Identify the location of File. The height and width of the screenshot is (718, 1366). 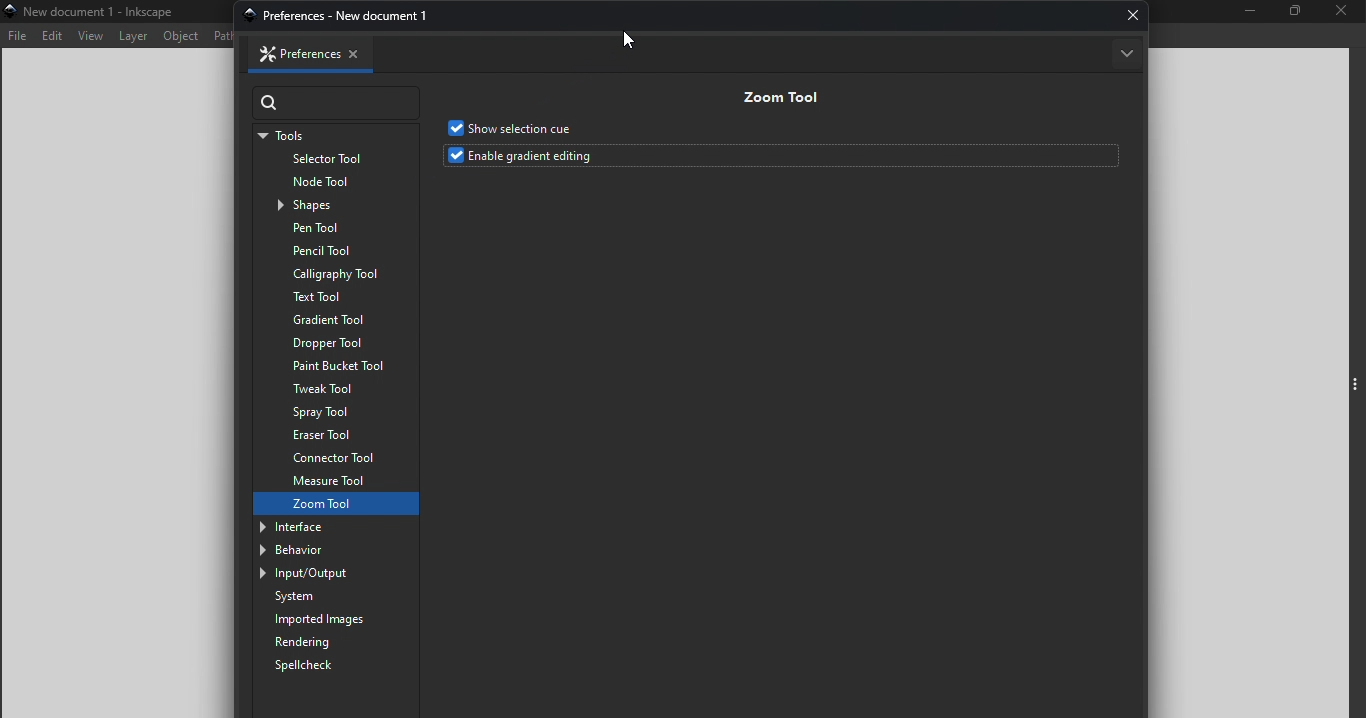
(18, 39).